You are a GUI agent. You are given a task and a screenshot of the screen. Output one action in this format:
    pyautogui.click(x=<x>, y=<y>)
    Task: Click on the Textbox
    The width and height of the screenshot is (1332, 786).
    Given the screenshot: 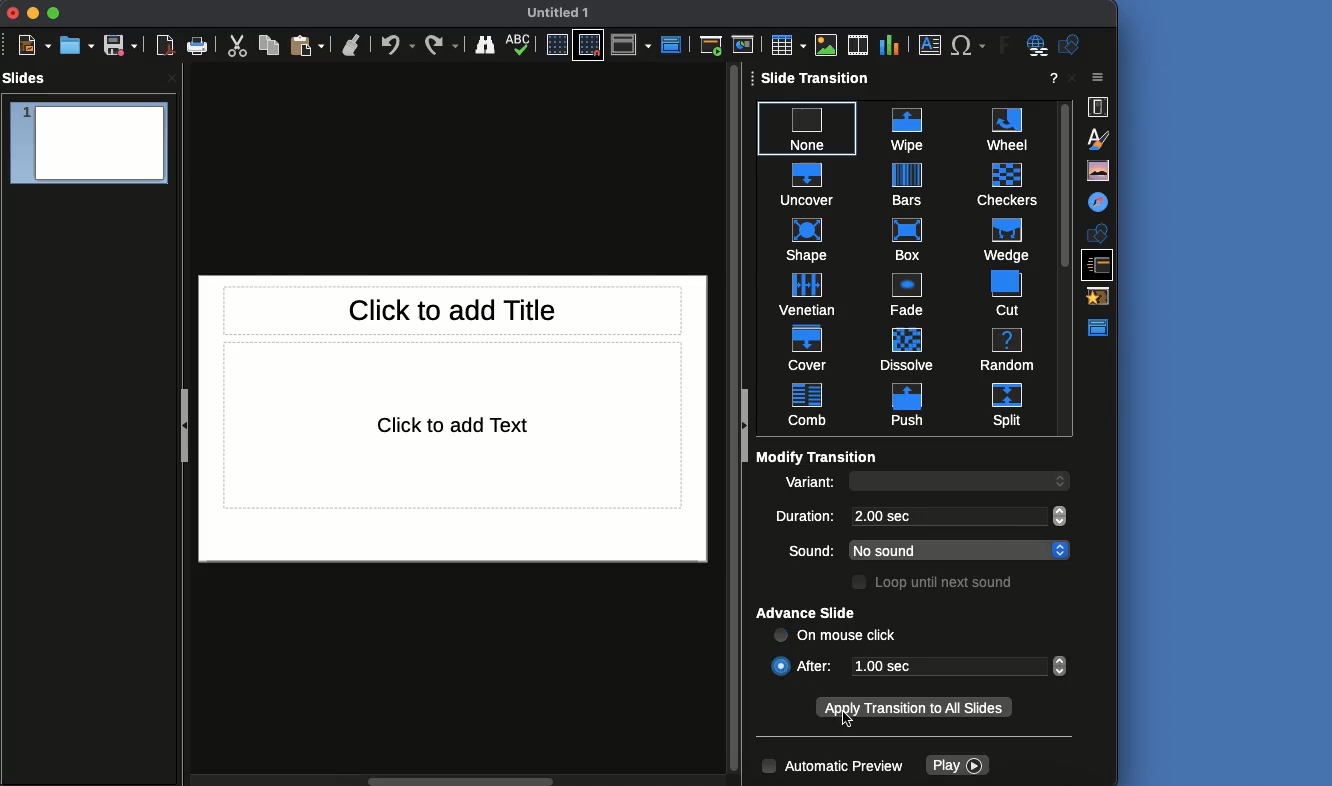 What is the action you would take?
    pyautogui.click(x=931, y=46)
    